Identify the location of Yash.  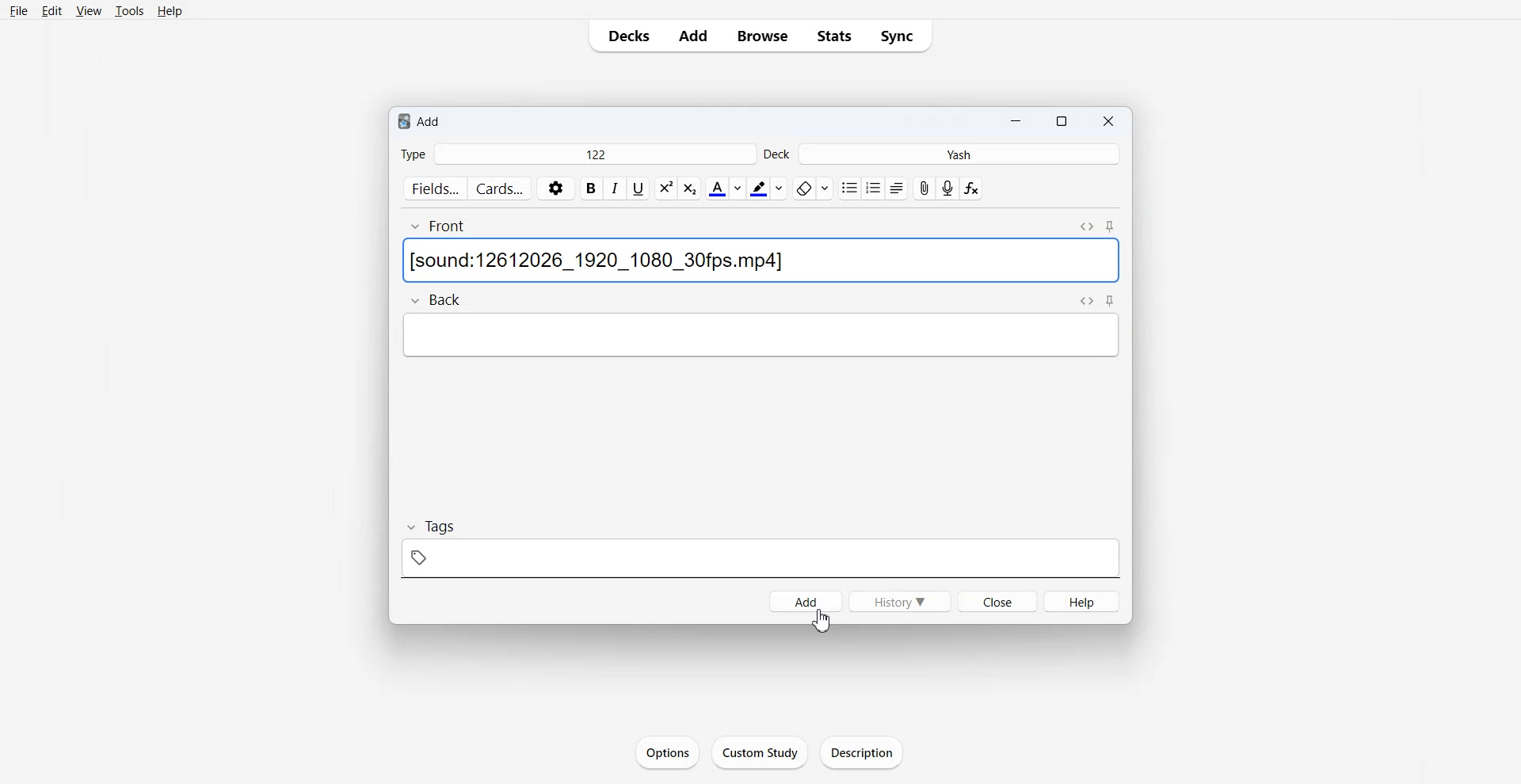
(958, 154).